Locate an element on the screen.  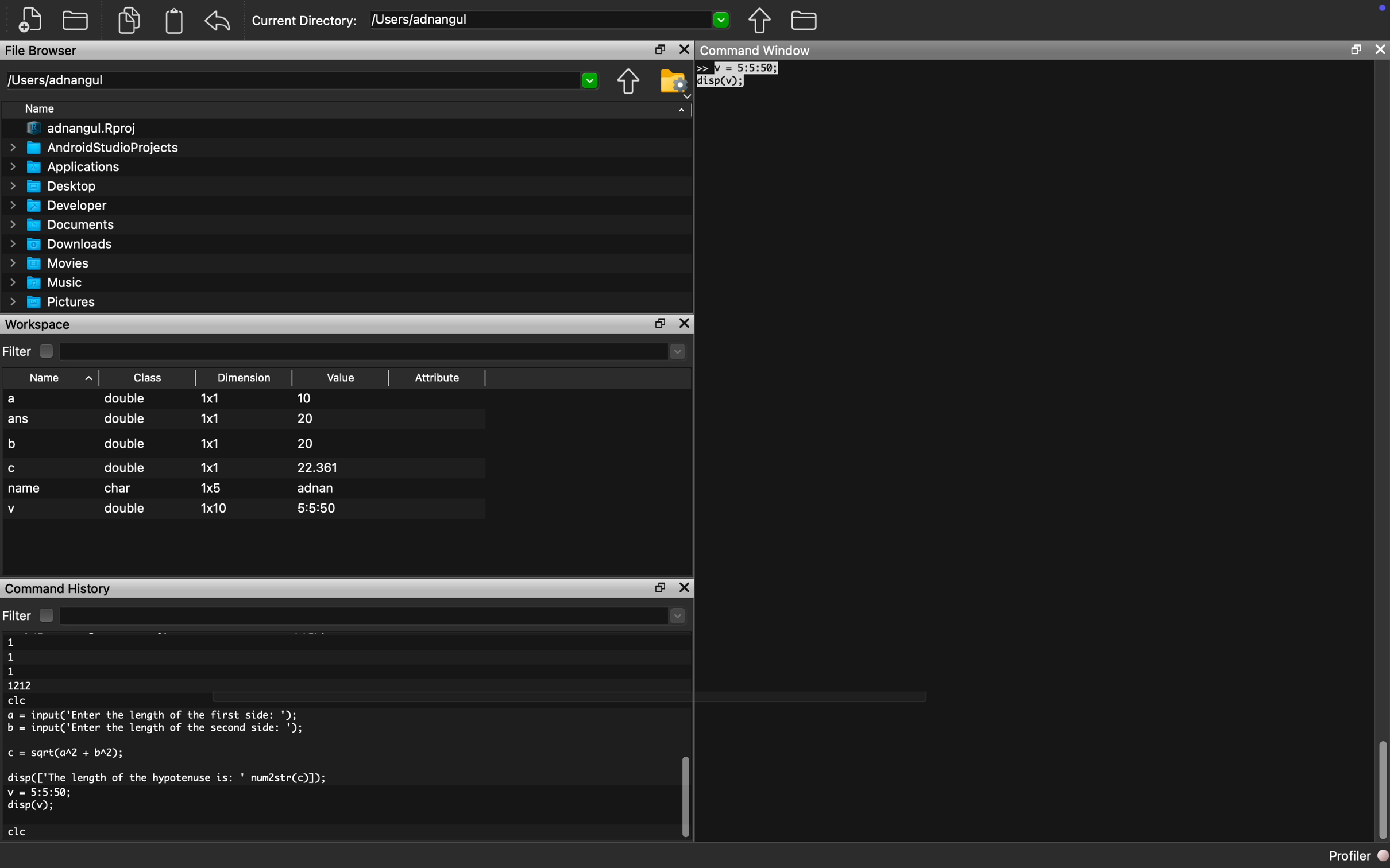
Name is located at coordinates (59, 379).